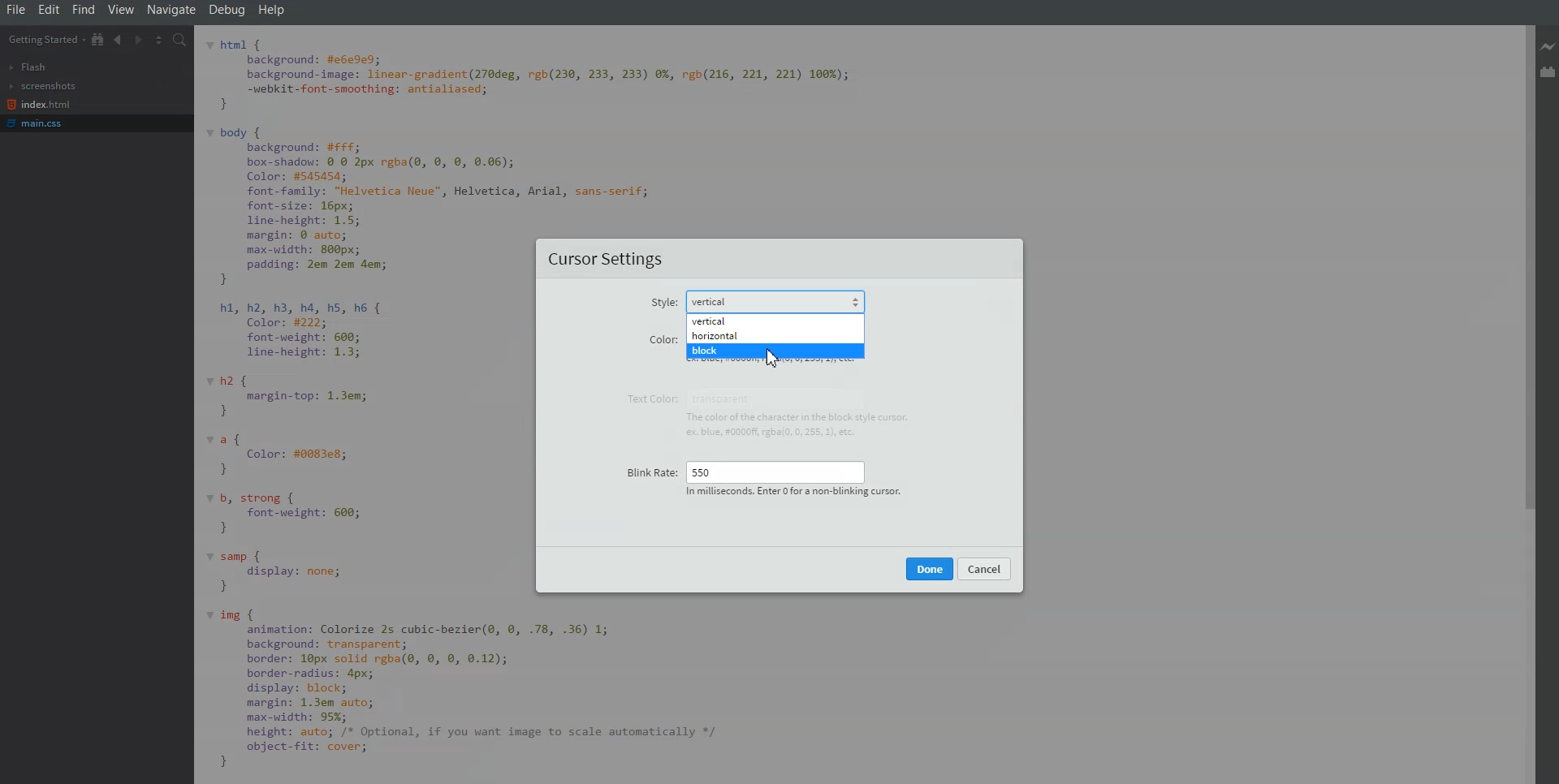 The width and height of the screenshot is (1559, 784). What do you see at coordinates (369, 407) in the screenshot?
I see `html {
background: #e6e9e9;
background-image: linear-gradient(270deg, rgb(230, 233, 233) 0%, rgb(216, 221, 221) 166%);
-webkit-font-smoothing: antialiased;
}
body {
background: #££F;
box-shadow: © @ 2px rgba(@, 0, 8, 0.06);
Color: #545454;
font-family: "Helvetica Neue", Helvetica, Arial, sans-serif;
font-size: 16px;
line-height: 1.5;
margin: 8 auto;
max-width: 808px;
padding: 2em 2em dem;
}
h1, h2, h3, ha, hs, h6 {
Color: #222;
font-weight: 600;
line-height: 1.3;
h2 {
margin-top: 1.3em;
}
raf
Color: #0083e8;
}
/ b, strong {
font-weight: 600;
}
samp {
display: none;
}
ing {
animation: Colorize 2s cubic-bezier(®, 0, .78, .36) 1;
background: transparent;
border: 10px solid rgba(e, 0, 8, 0.12);
border-radius: 4px;
display: block;
margin: 1.3em auto;
max-width: 95%;
height: auto; /* Optional, if you want image to scale automatically */
object-fit: cover;
}` at bounding box center [369, 407].